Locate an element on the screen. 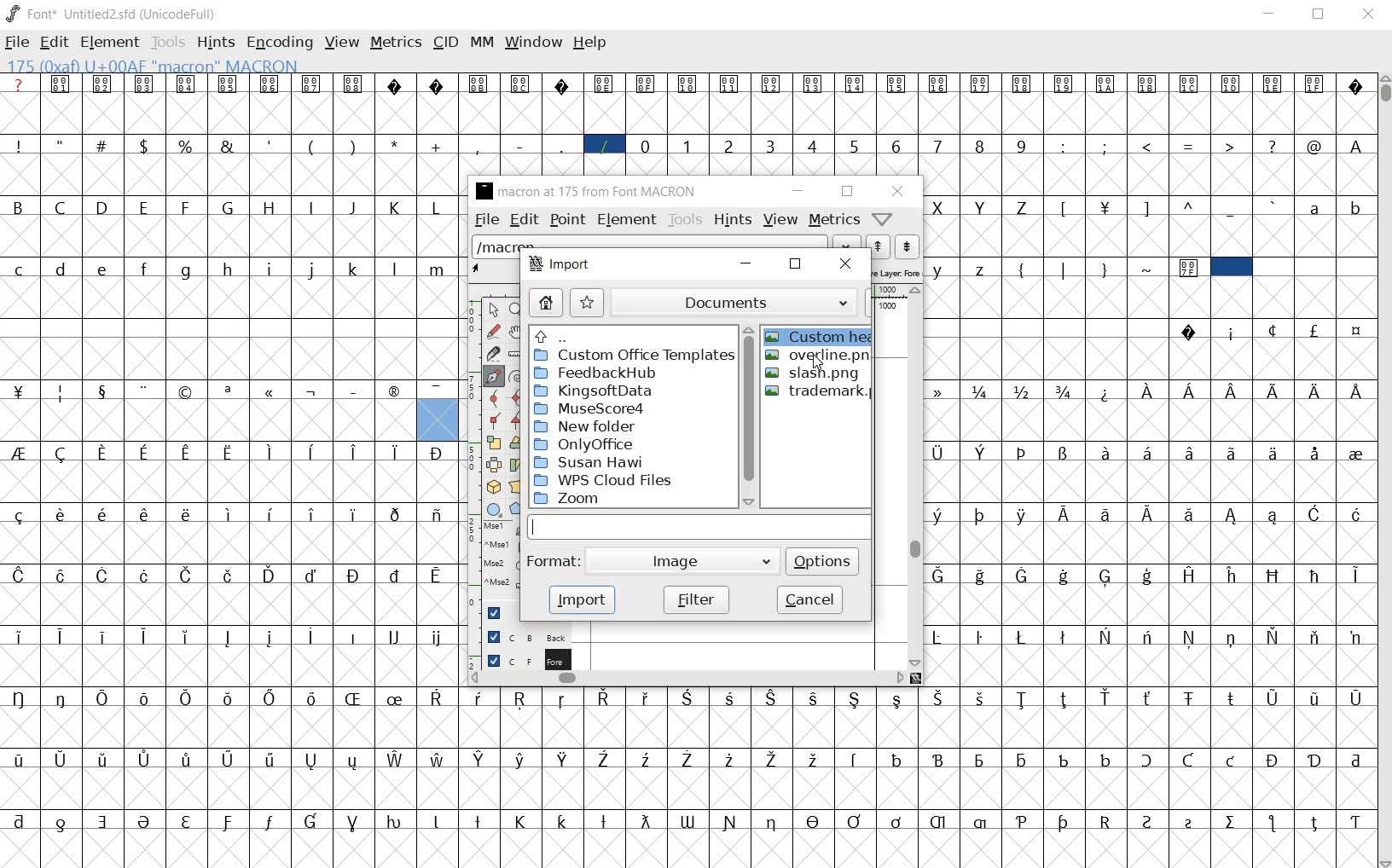 The width and height of the screenshot is (1392, 868). Symbol is located at coordinates (104, 84).